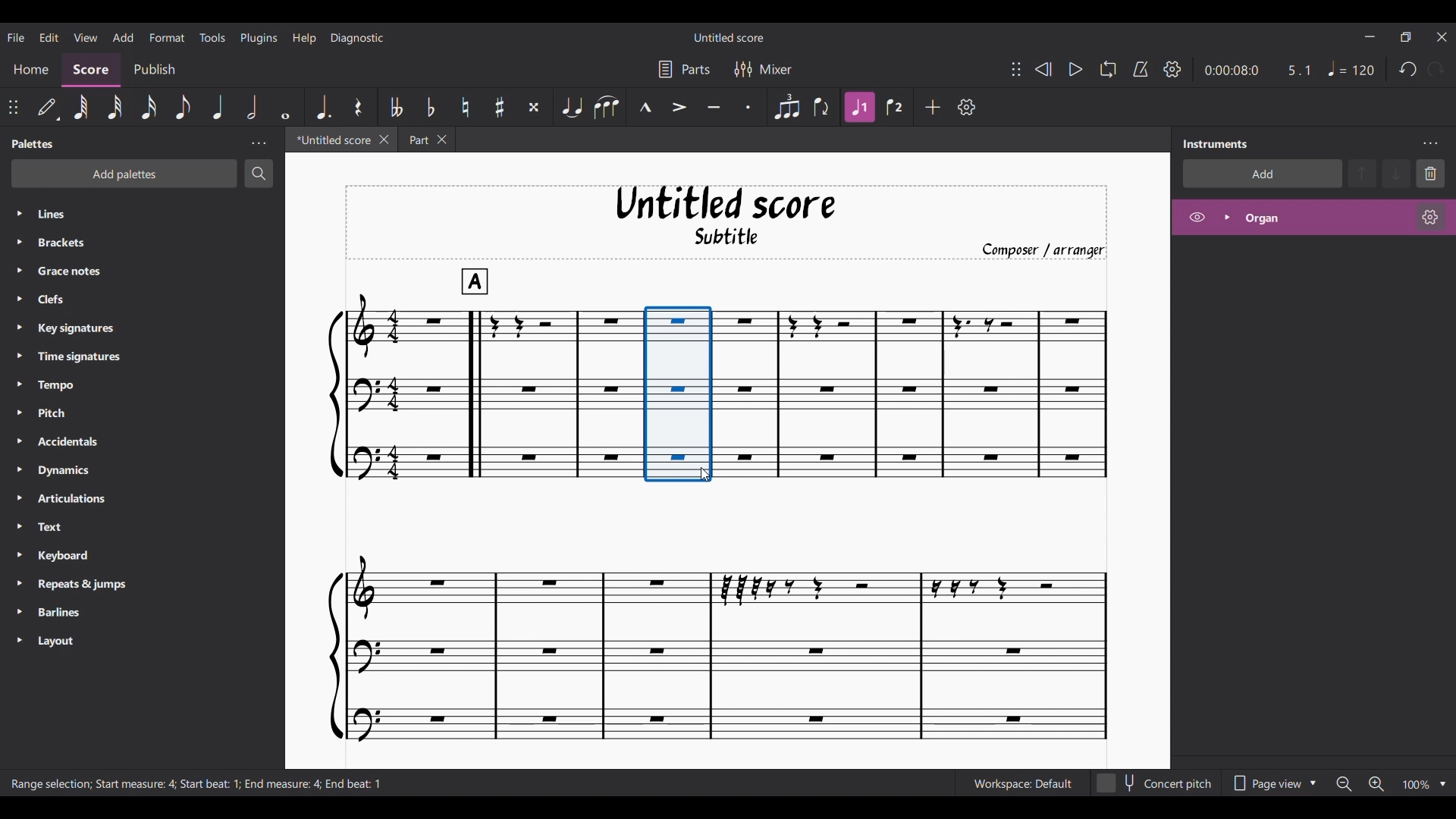 This screenshot has height=819, width=1456. I want to click on Toggle flat, so click(430, 106).